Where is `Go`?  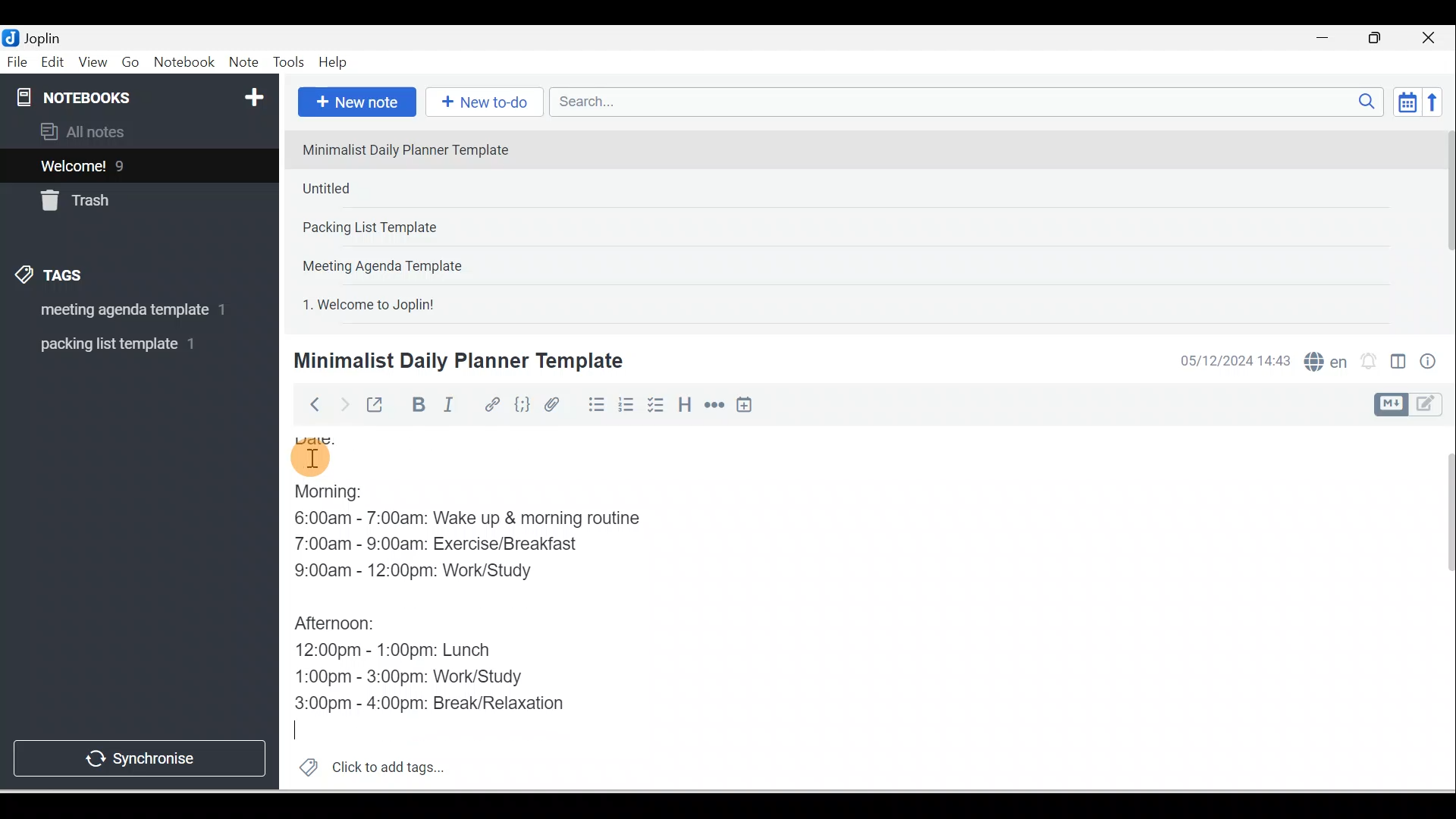
Go is located at coordinates (133, 63).